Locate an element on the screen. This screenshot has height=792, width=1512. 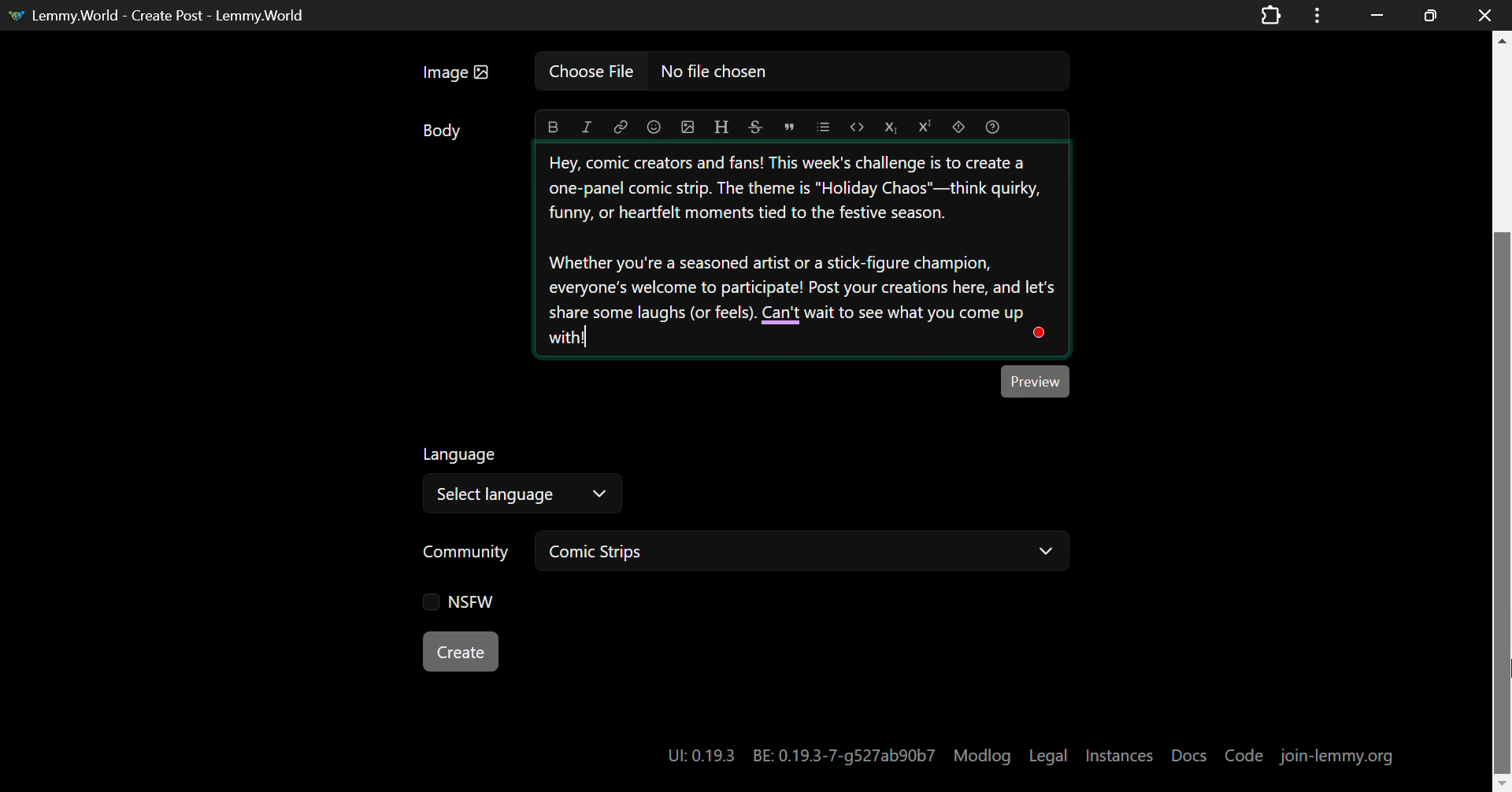
Subscript is located at coordinates (889, 127).